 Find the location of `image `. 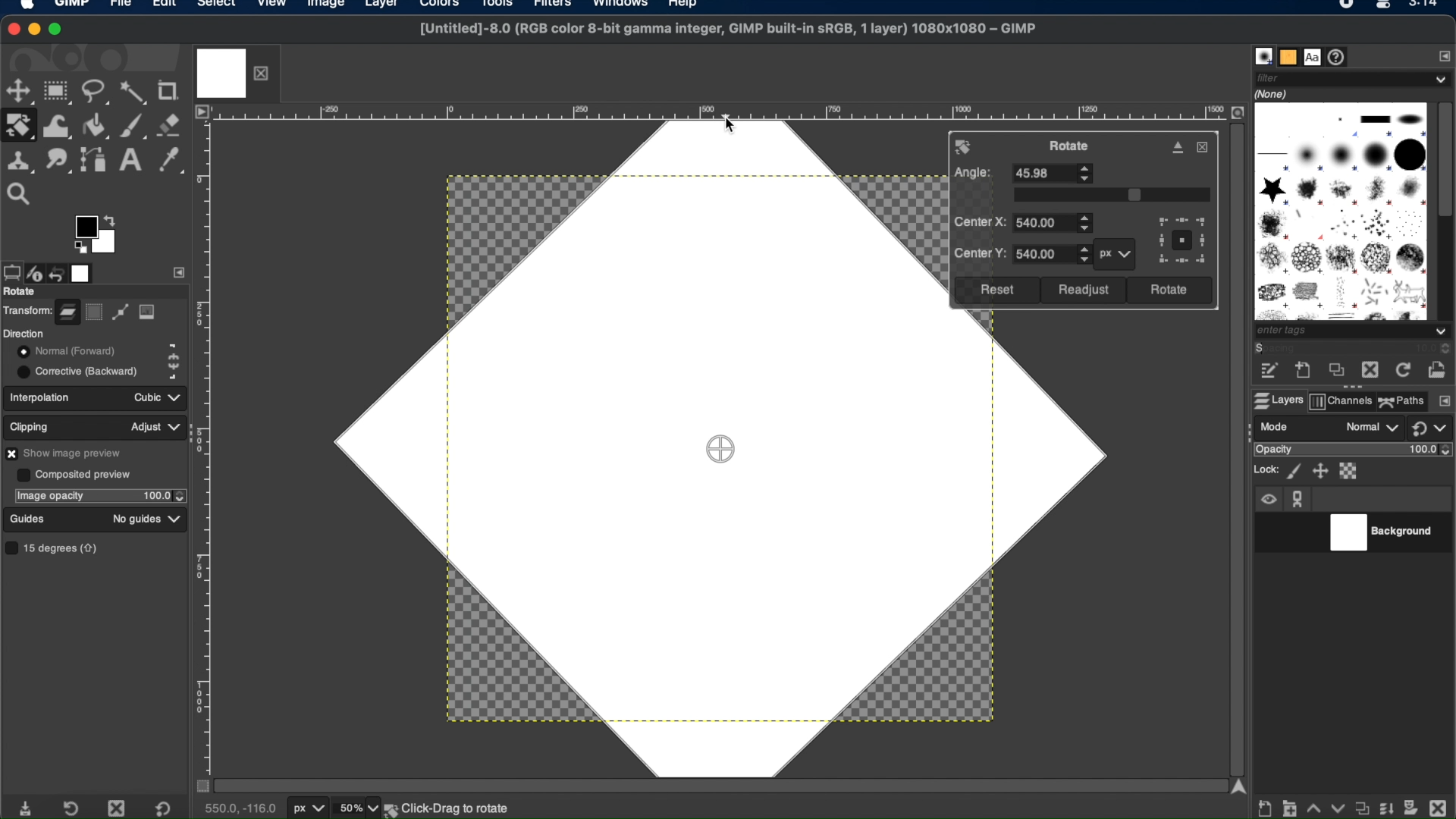

image  is located at coordinates (148, 312).